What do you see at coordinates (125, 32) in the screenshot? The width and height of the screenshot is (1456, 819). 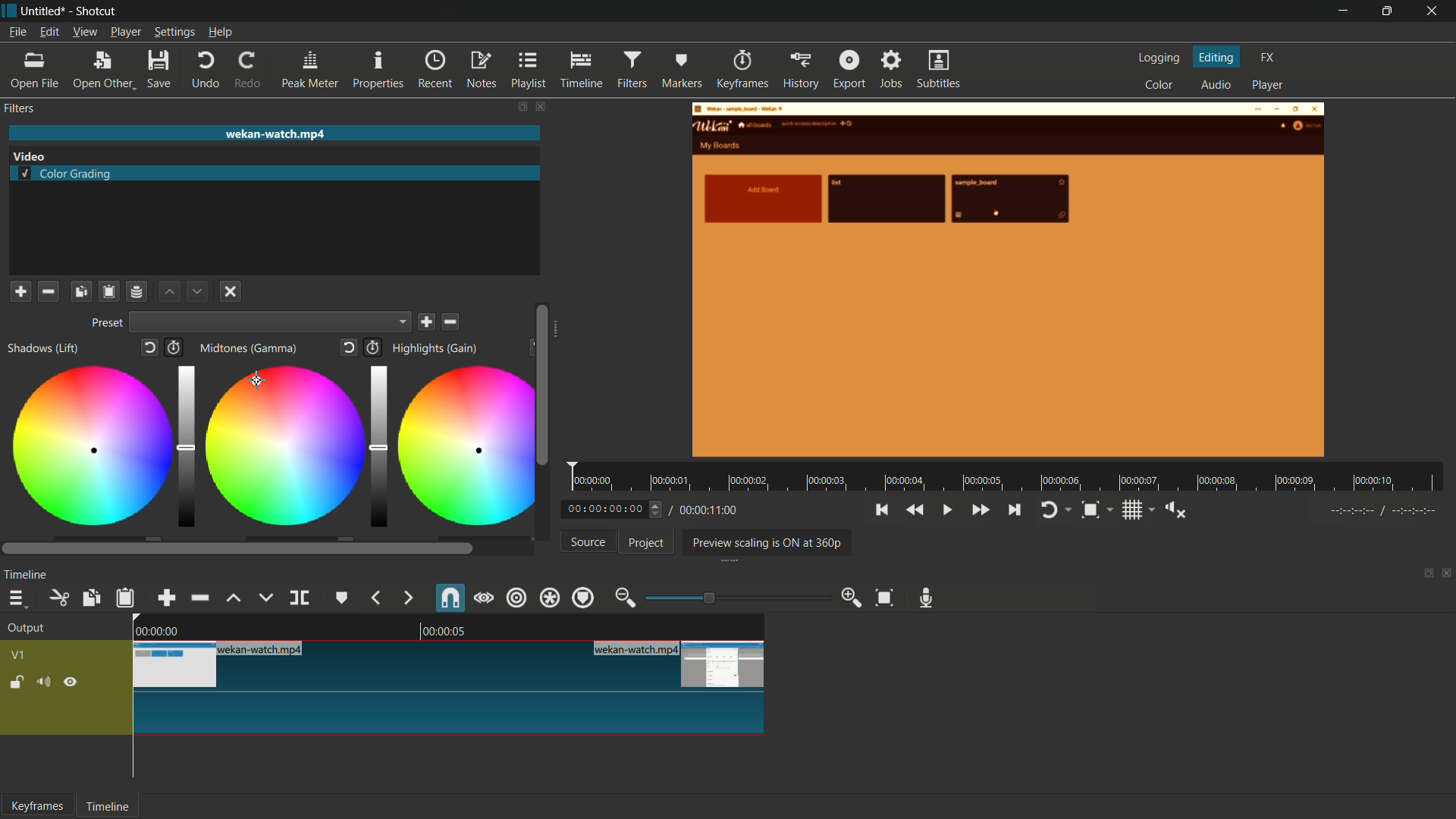 I see `player menu` at bounding box center [125, 32].